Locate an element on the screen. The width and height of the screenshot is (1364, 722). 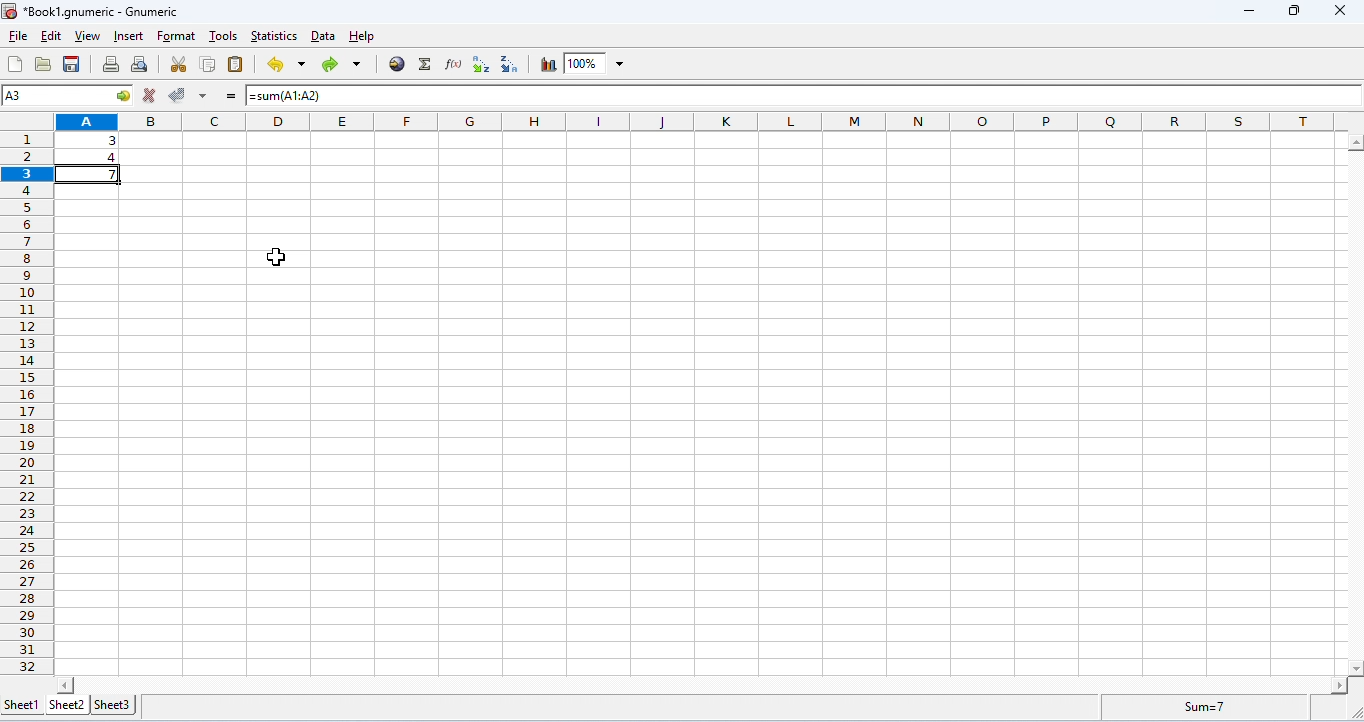
select function is located at coordinates (425, 65).